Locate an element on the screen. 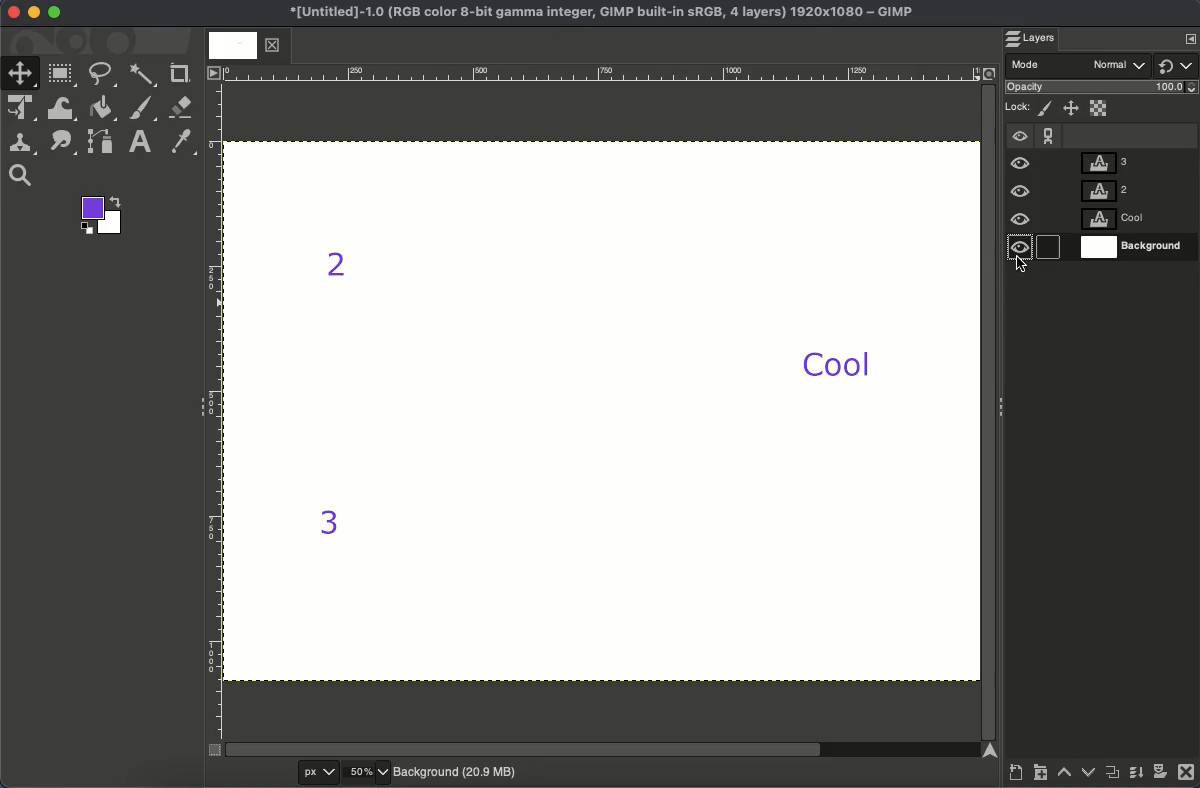 The width and height of the screenshot is (1200, 788). Background is located at coordinates (457, 770).